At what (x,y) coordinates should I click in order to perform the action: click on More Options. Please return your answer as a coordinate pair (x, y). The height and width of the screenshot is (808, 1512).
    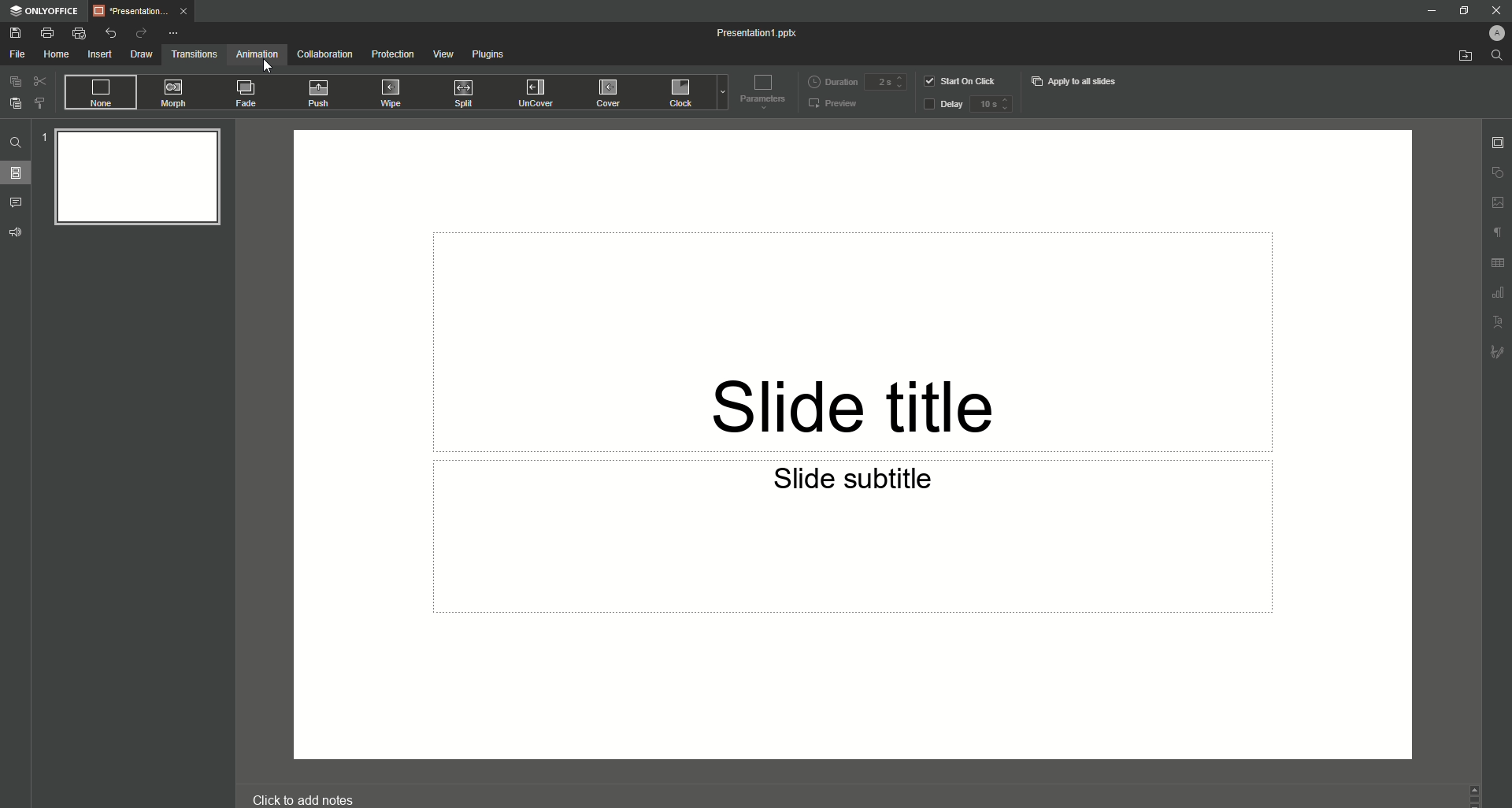
    Looking at the image, I should click on (172, 33).